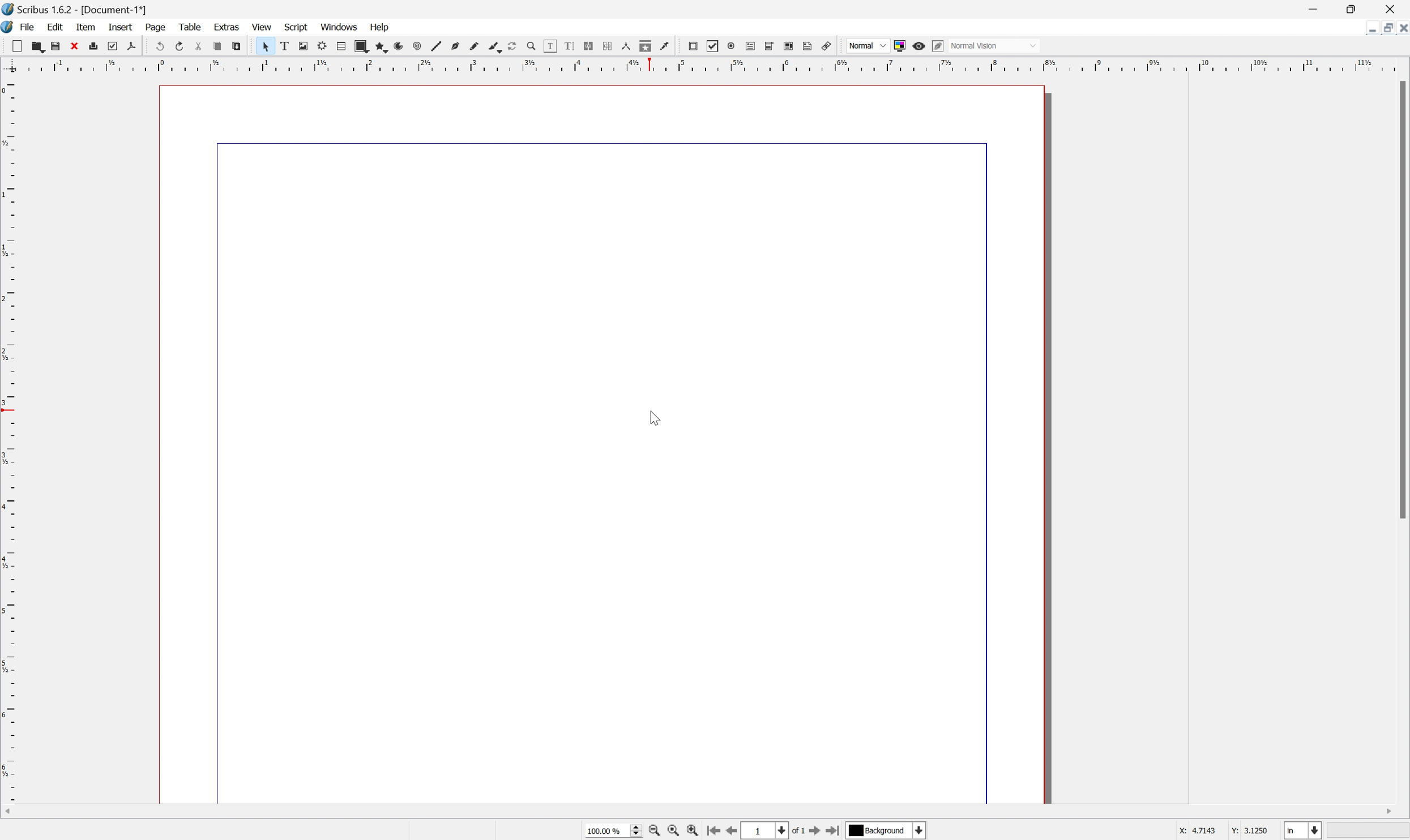 The image size is (1410, 840). What do you see at coordinates (1401, 29) in the screenshot?
I see `Close` at bounding box center [1401, 29].